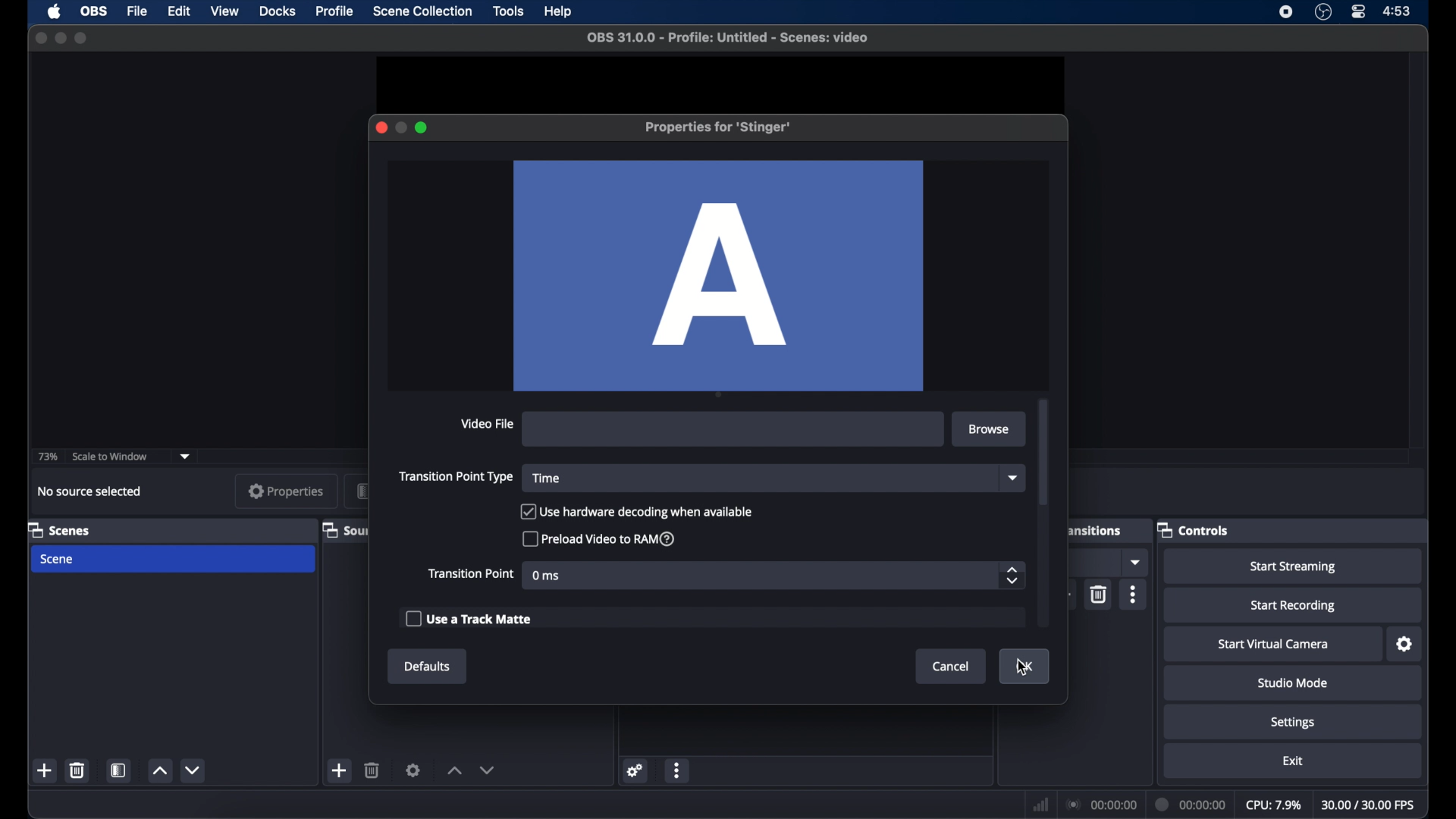 The image size is (1456, 819). What do you see at coordinates (1287, 12) in the screenshot?
I see `screen recorder icon` at bounding box center [1287, 12].